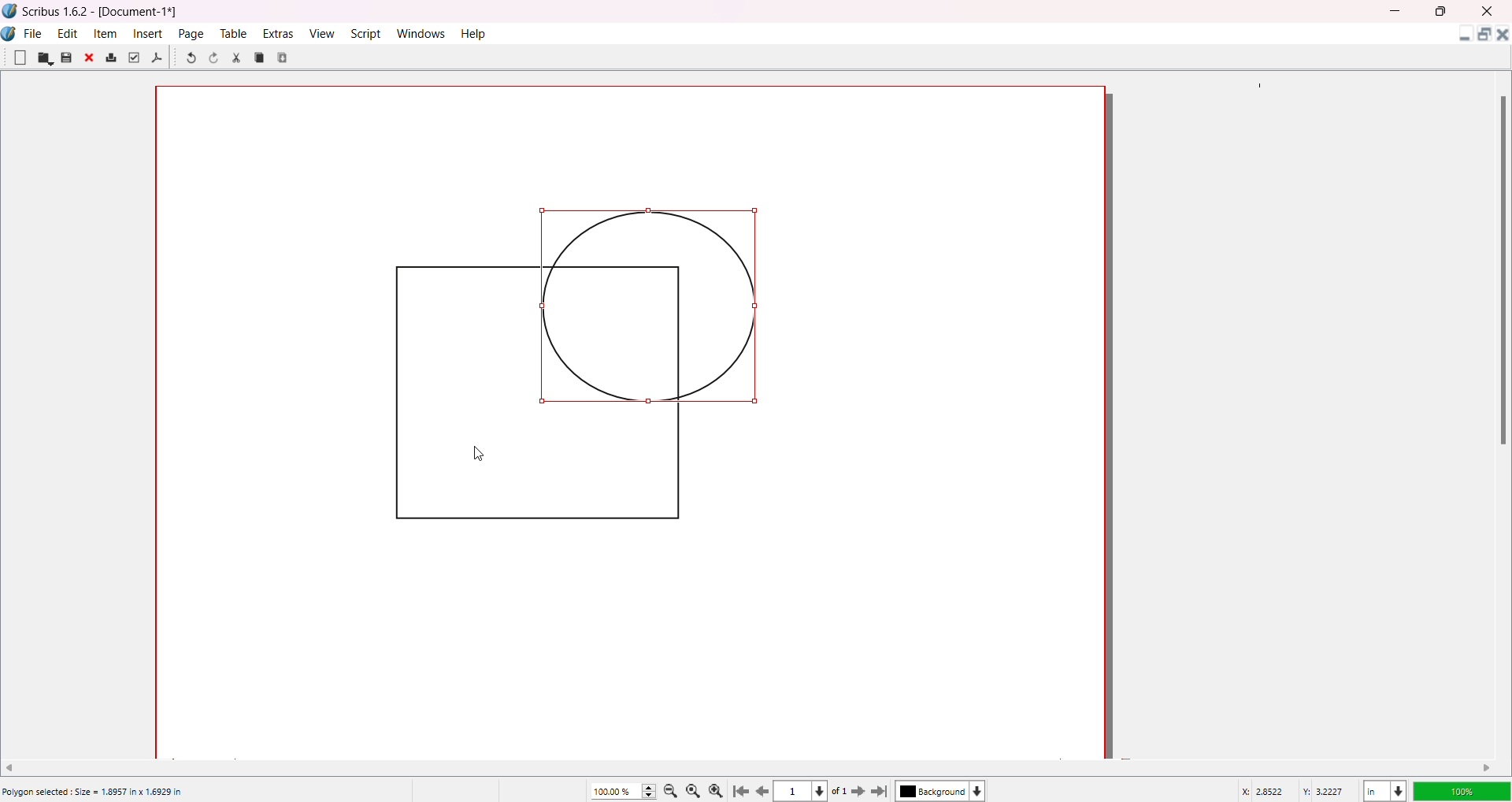 Image resolution: width=1512 pixels, height=802 pixels. I want to click on Move Left, so click(15, 766).